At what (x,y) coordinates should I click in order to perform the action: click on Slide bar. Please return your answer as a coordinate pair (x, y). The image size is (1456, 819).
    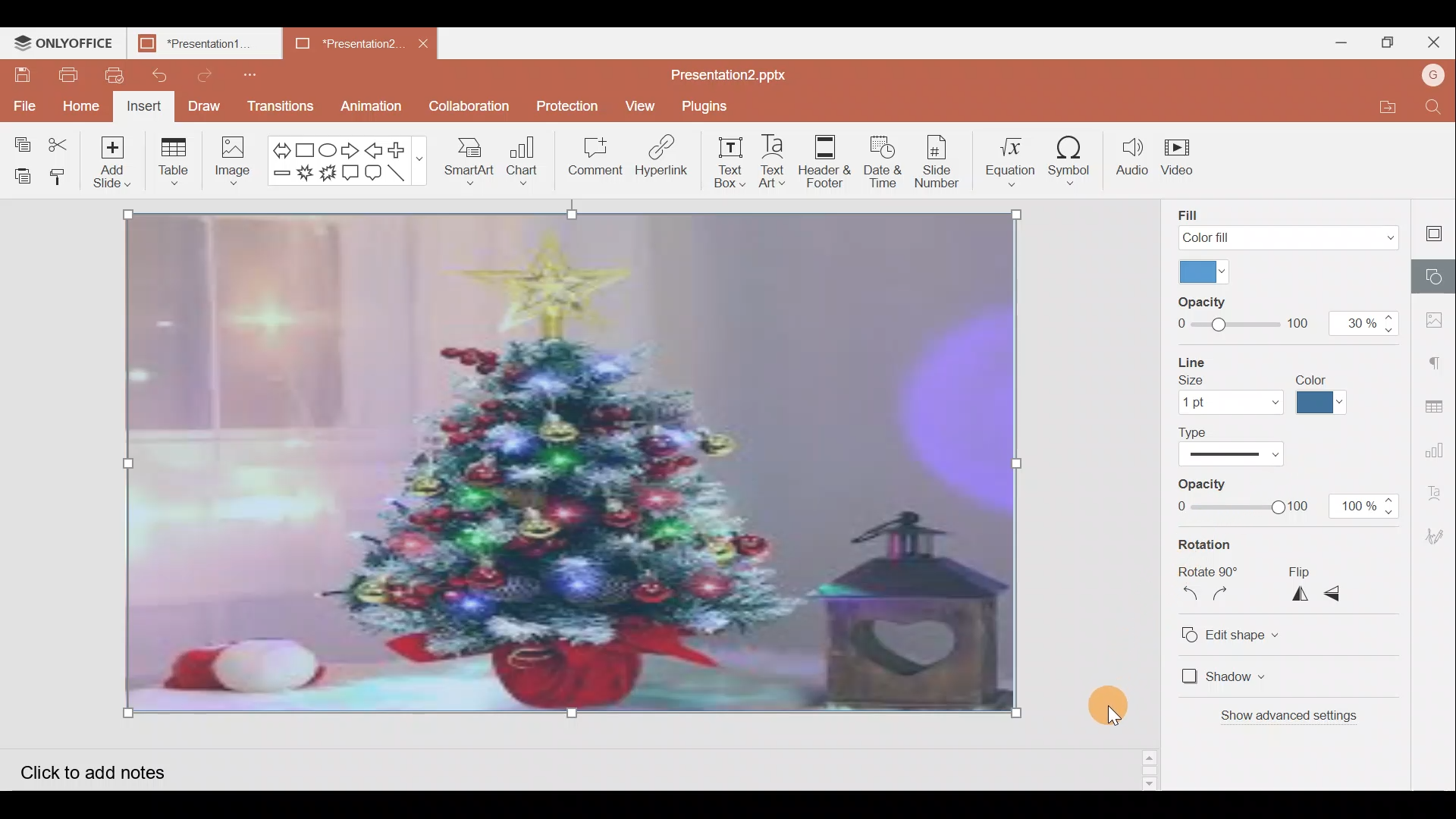
    Looking at the image, I should click on (1150, 762).